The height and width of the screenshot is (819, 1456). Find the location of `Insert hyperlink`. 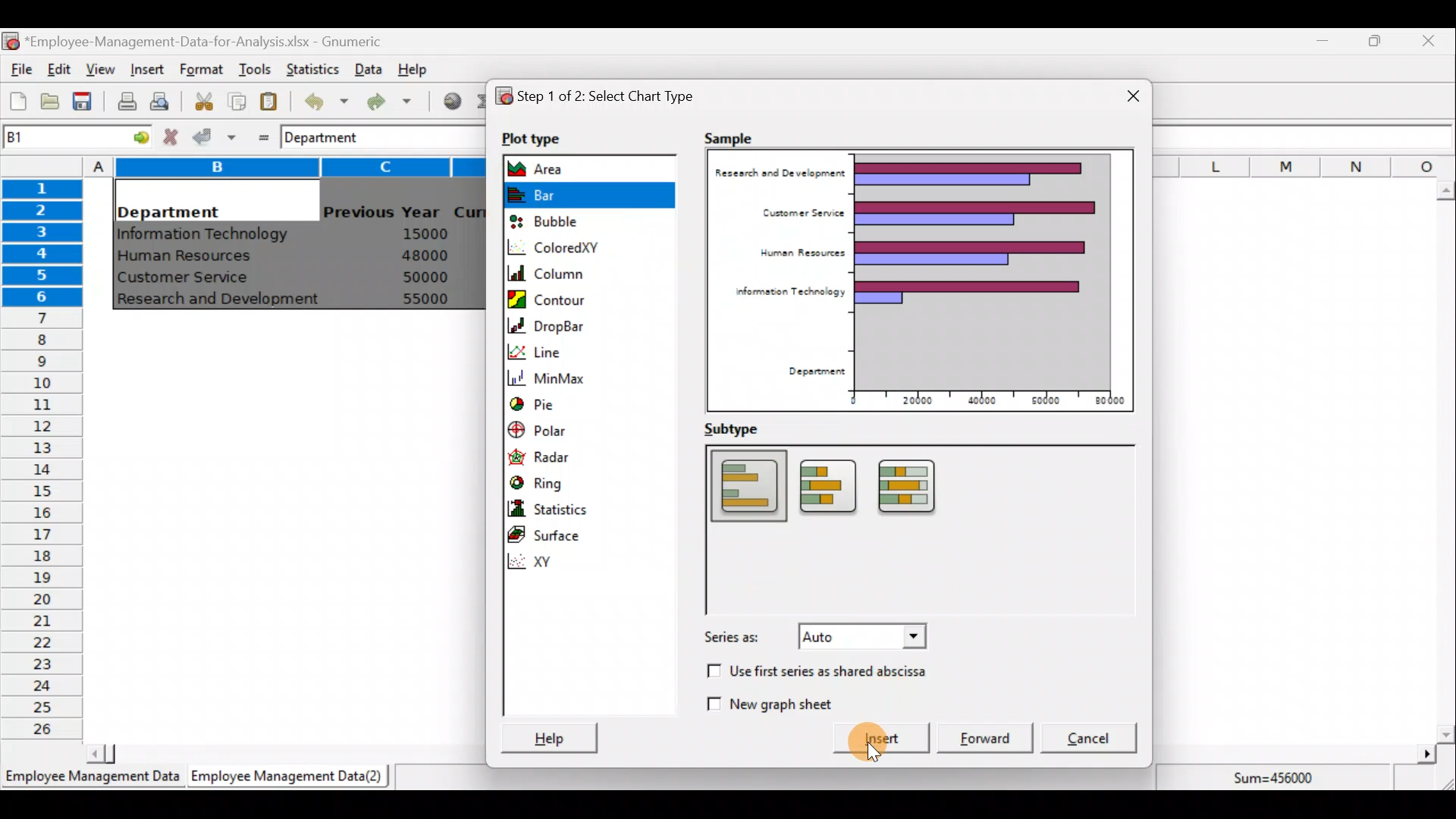

Insert hyperlink is located at coordinates (447, 100).